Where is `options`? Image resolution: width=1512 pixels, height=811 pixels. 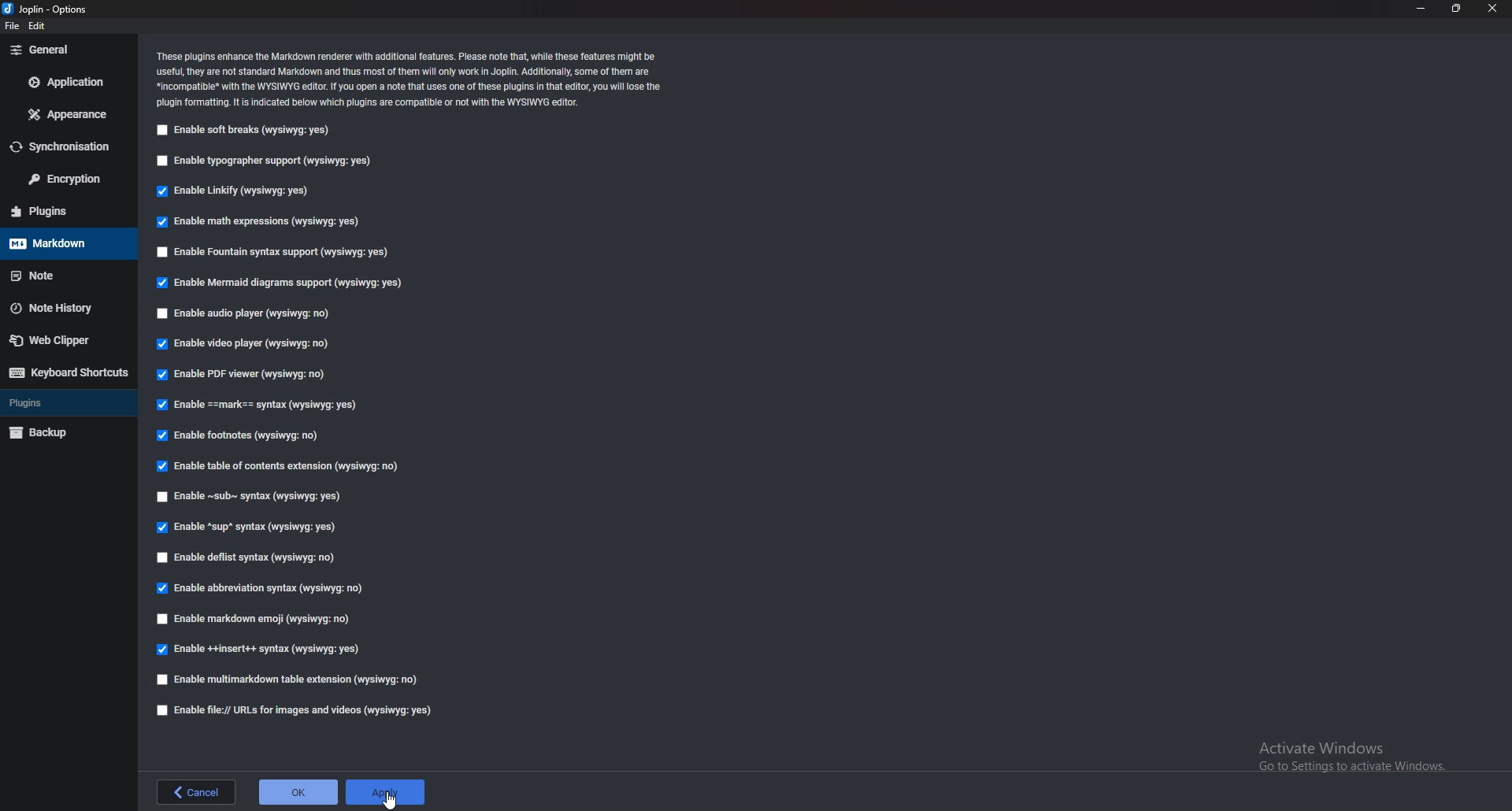
options is located at coordinates (47, 9).